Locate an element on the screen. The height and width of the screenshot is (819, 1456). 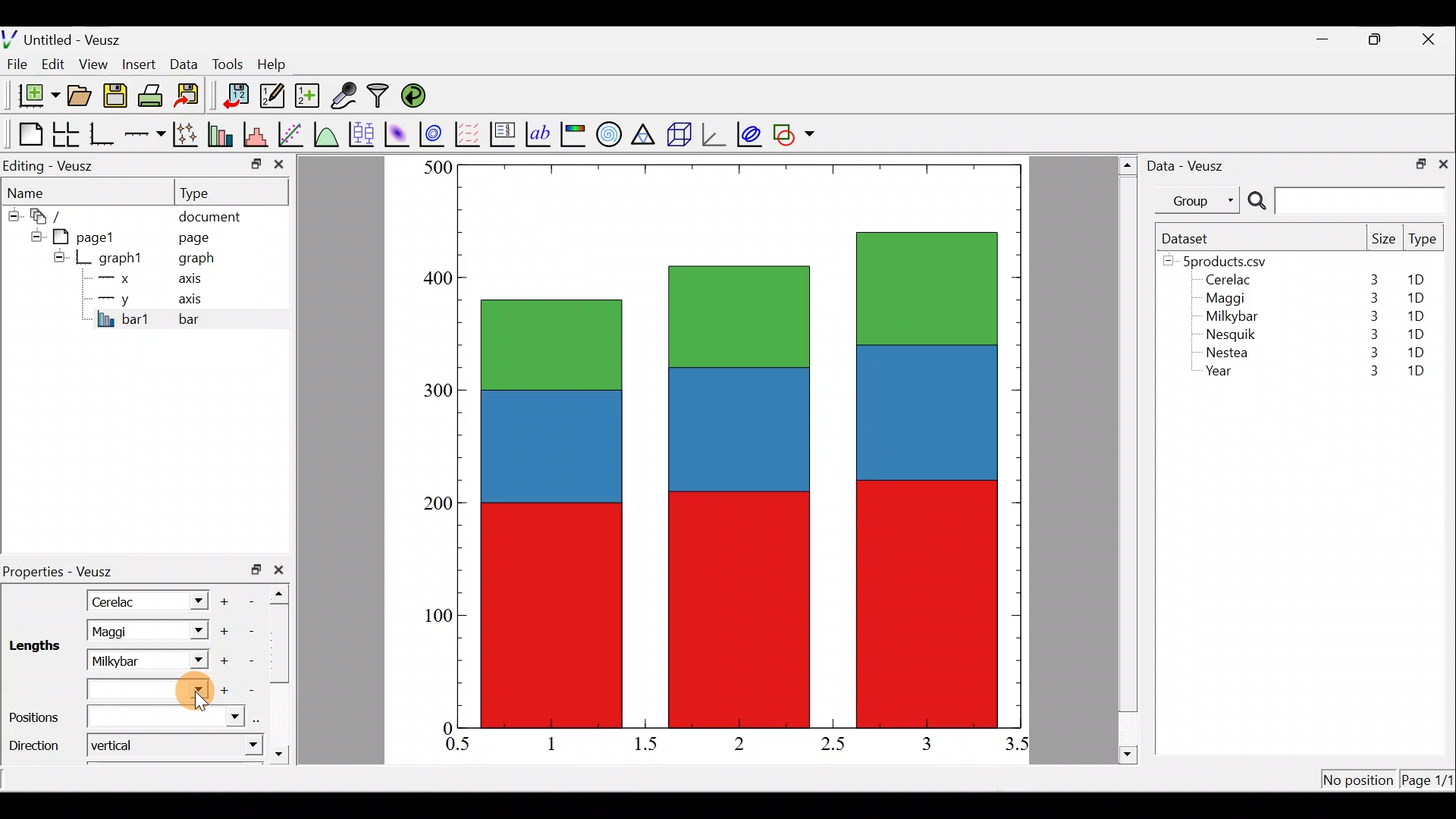
close is located at coordinates (282, 570).